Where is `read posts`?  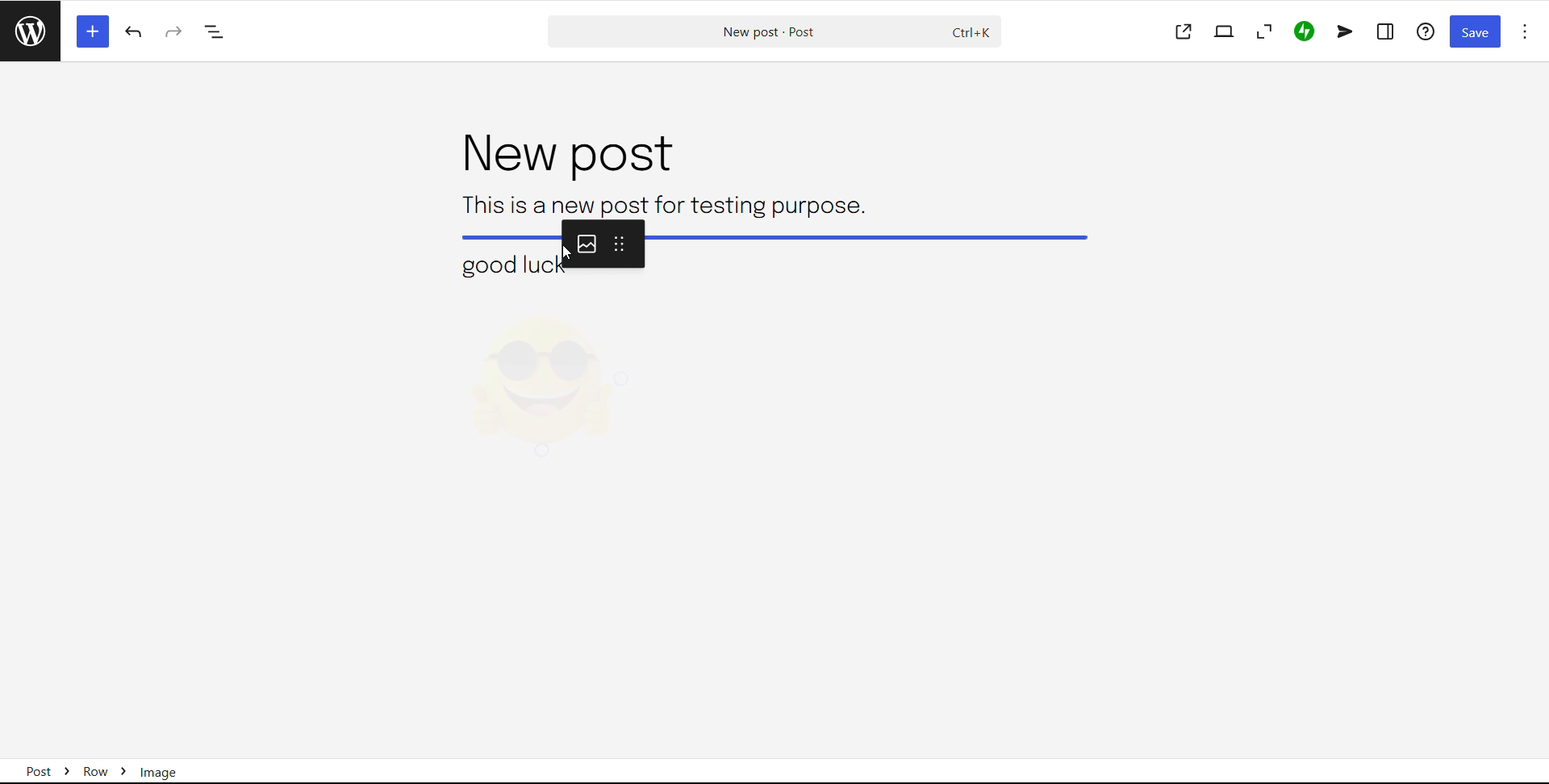
read posts is located at coordinates (30, 31).